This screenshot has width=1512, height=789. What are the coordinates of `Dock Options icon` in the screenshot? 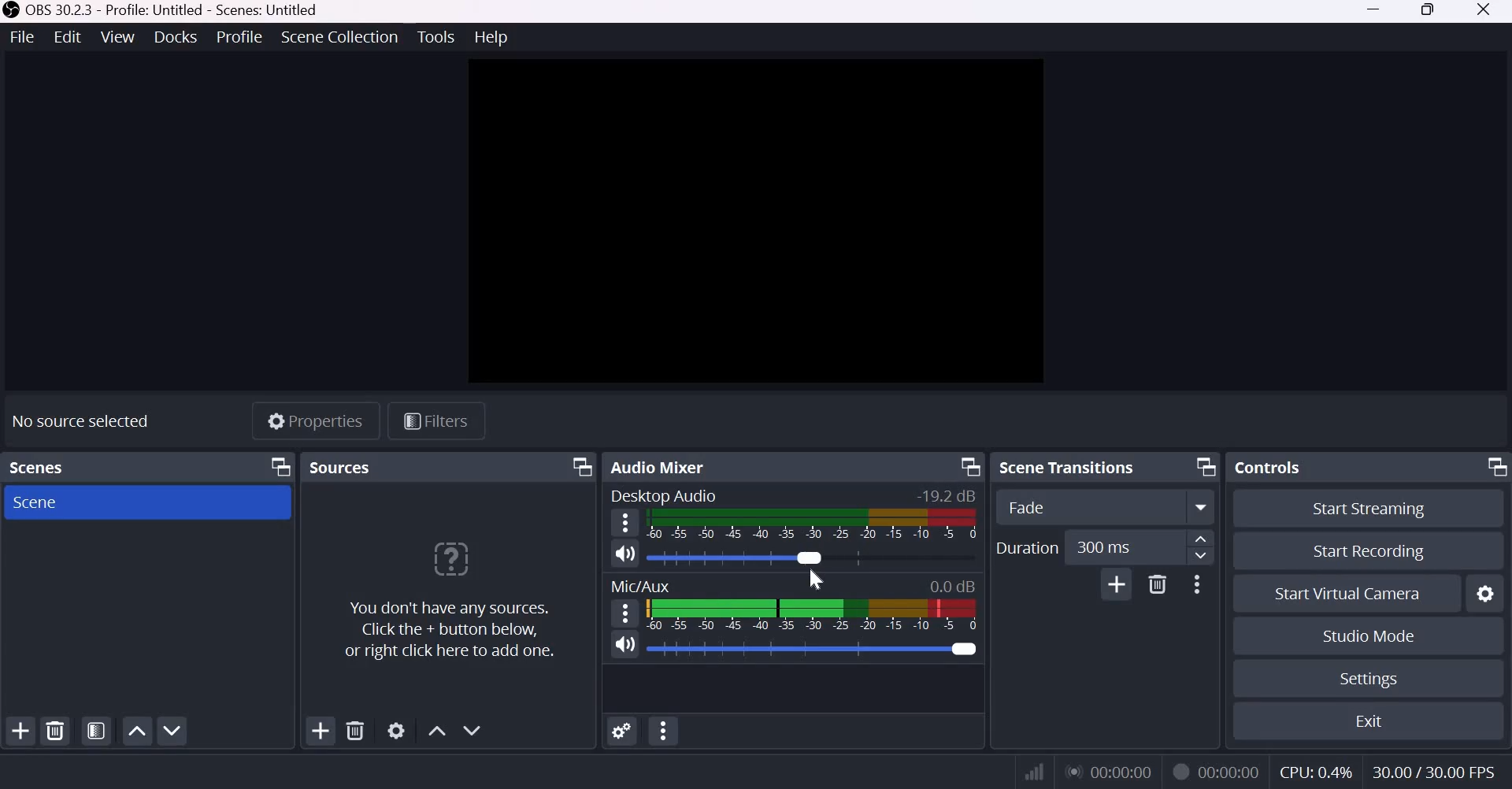 It's located at (1197, 466).